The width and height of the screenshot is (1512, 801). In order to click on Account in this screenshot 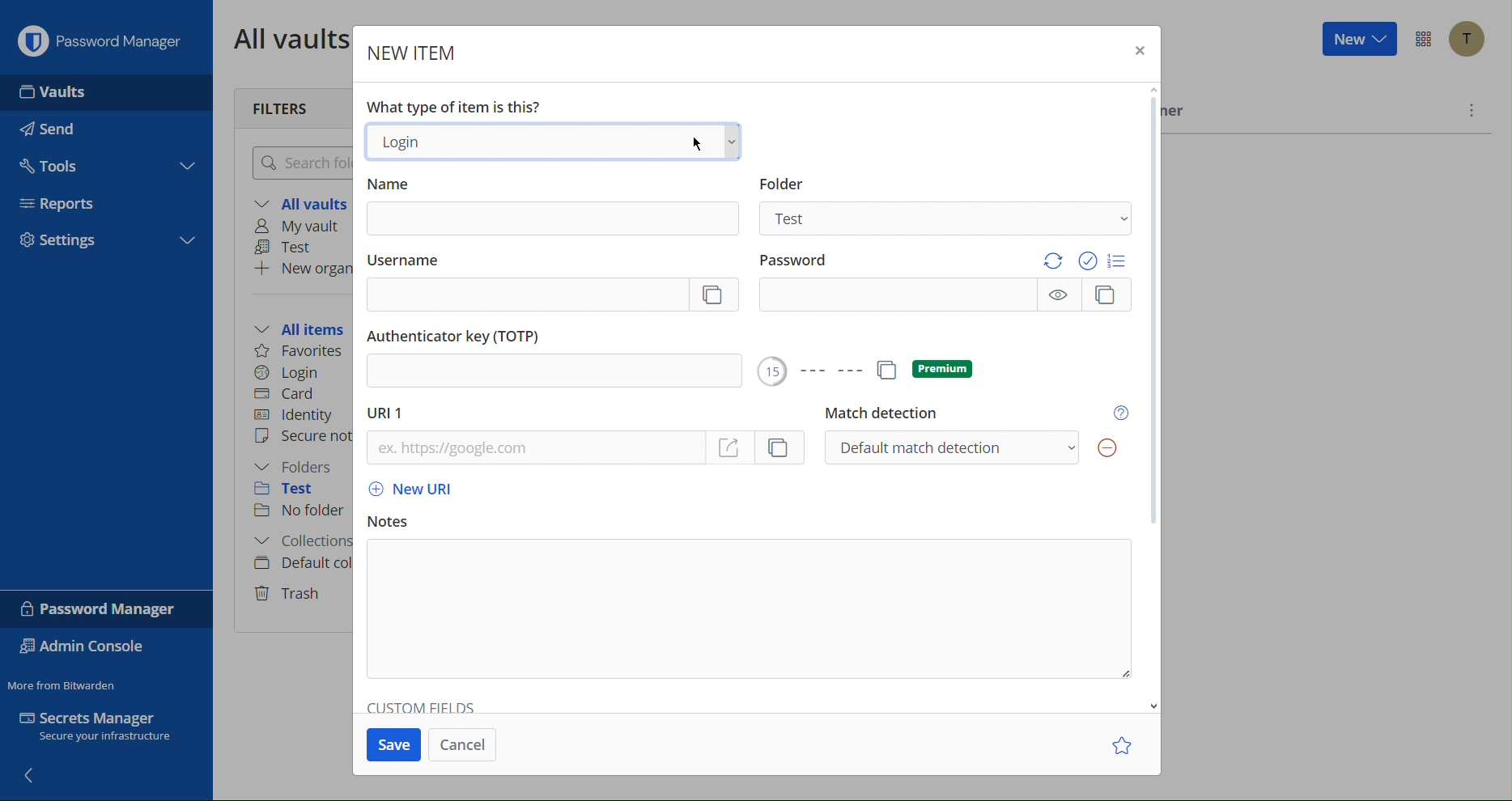, I will do `click(1468, 39)`.